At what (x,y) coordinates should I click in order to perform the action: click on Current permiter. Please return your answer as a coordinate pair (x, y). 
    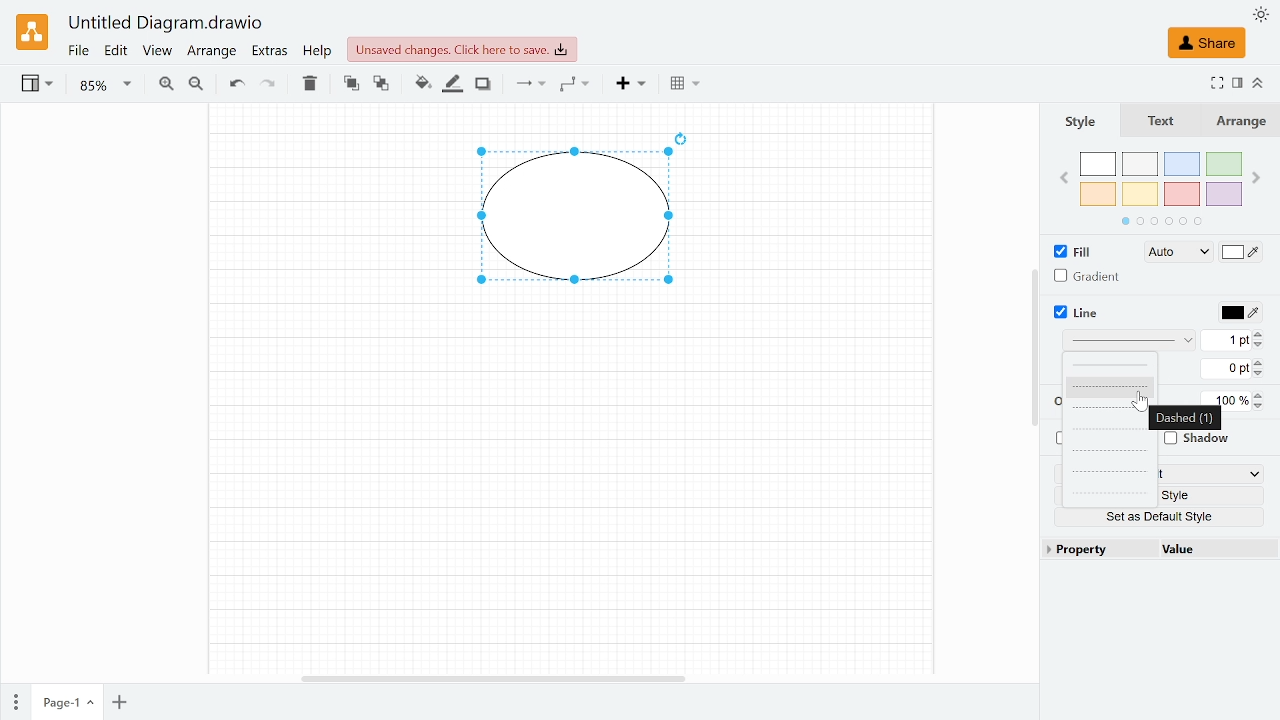
    Looking at the image, I should click on (1227, 369).